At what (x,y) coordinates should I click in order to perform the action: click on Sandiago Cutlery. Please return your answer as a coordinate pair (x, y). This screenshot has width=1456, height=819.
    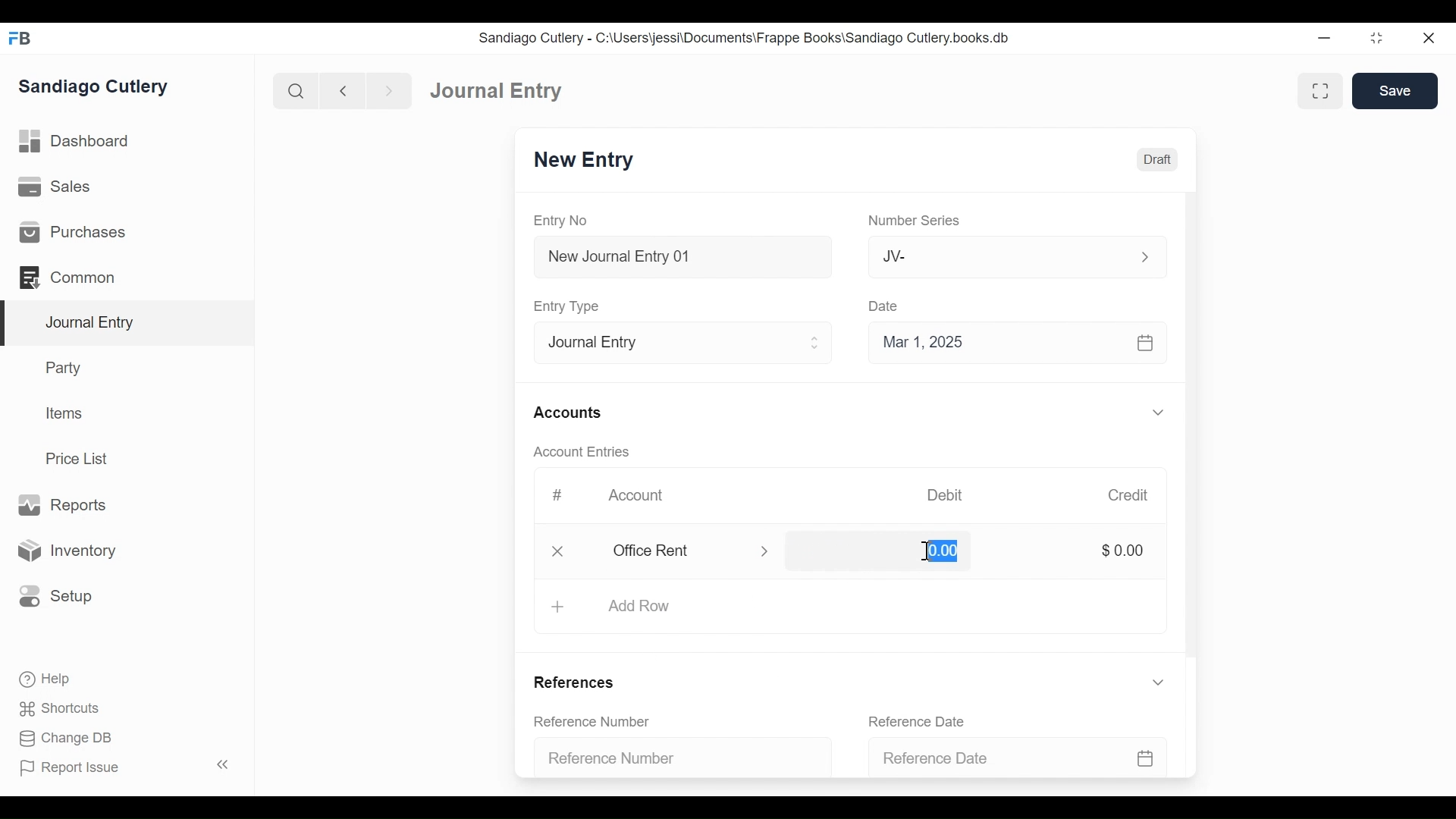
    Looking at the image, I should click on (102, 88).